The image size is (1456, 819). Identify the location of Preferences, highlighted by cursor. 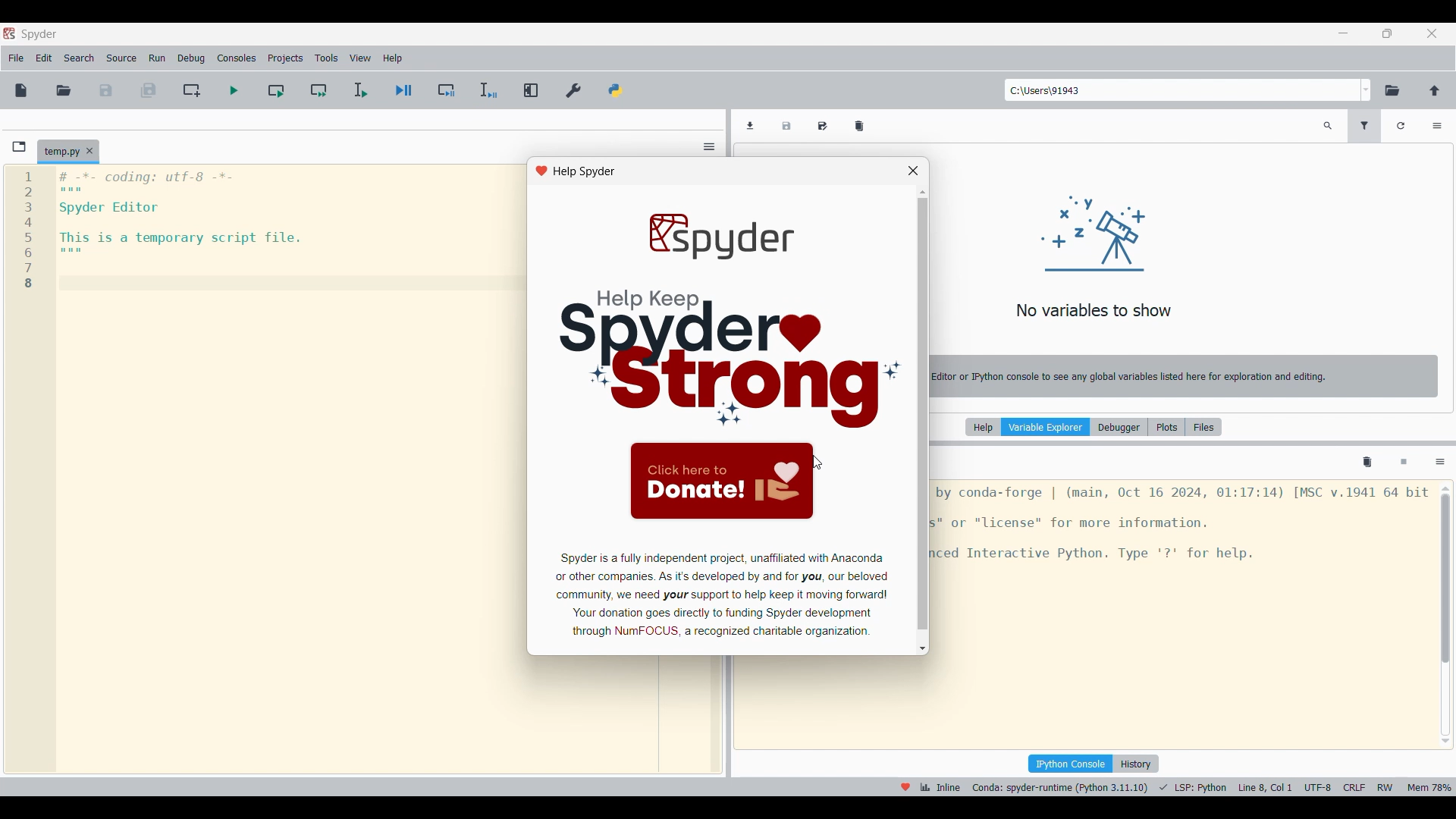
(569, 88).